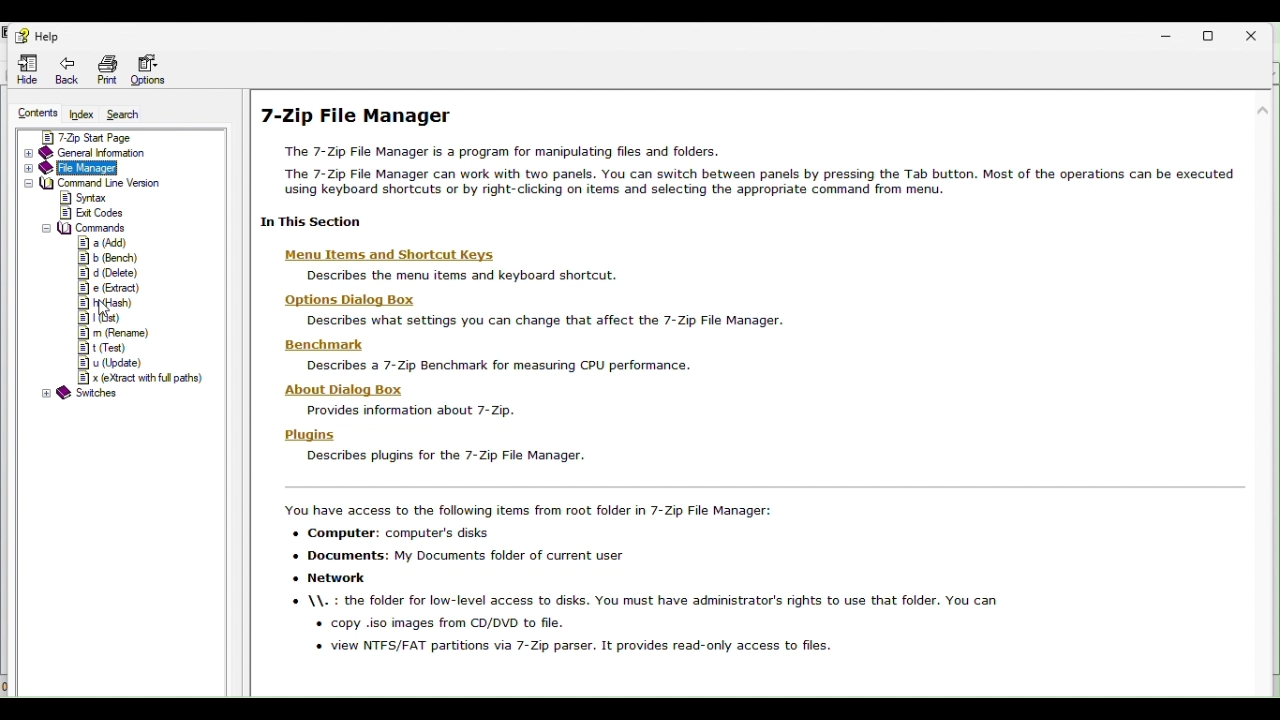 This screenshot has height=720, width=1280. What do you see at coordinates (36, 111) in the screenshot?
I see `content` at bounding box center [36, 111].